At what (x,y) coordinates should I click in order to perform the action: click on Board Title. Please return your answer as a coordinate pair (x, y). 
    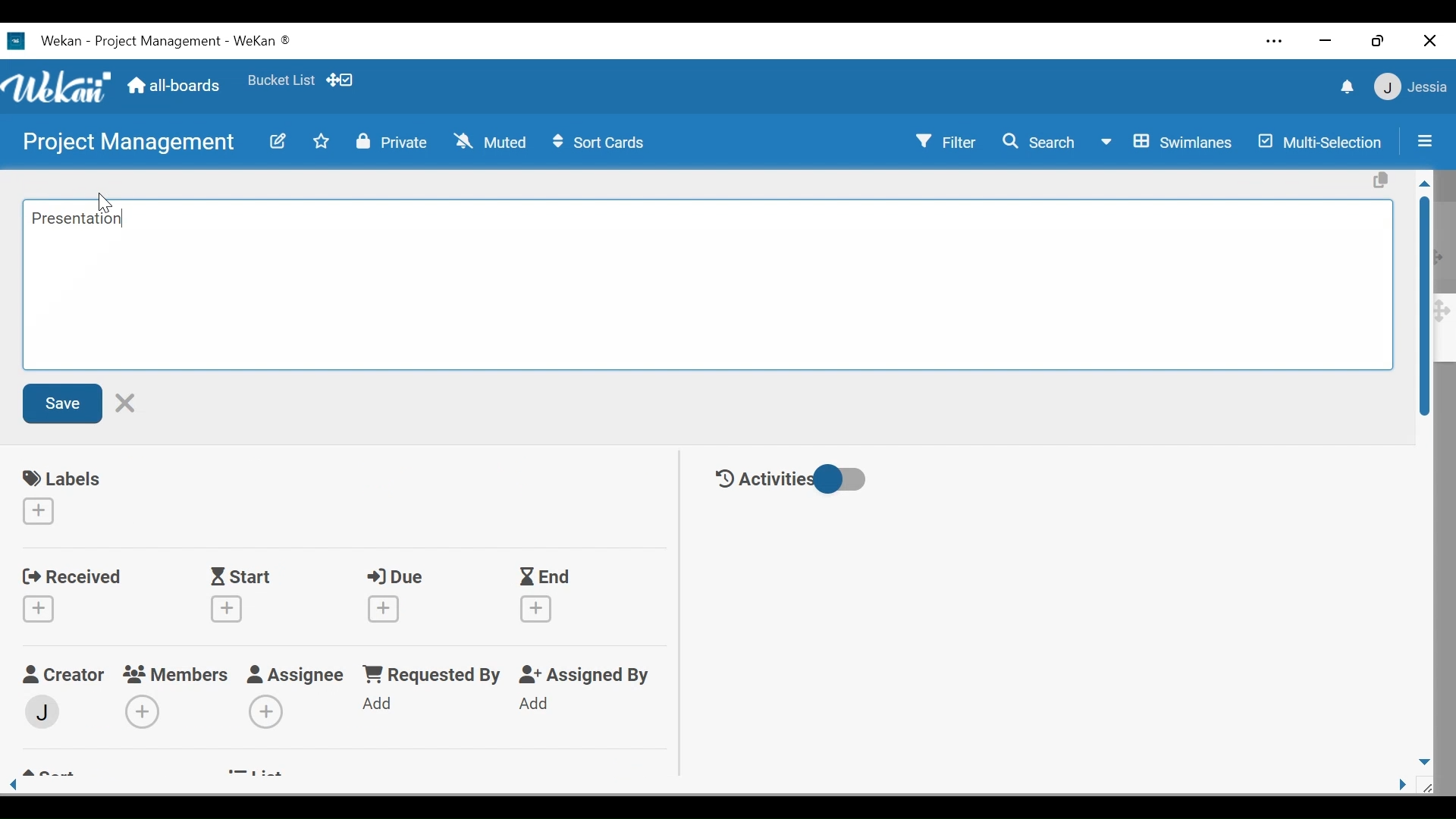
    Looking at the image, I should click on (157, 41).